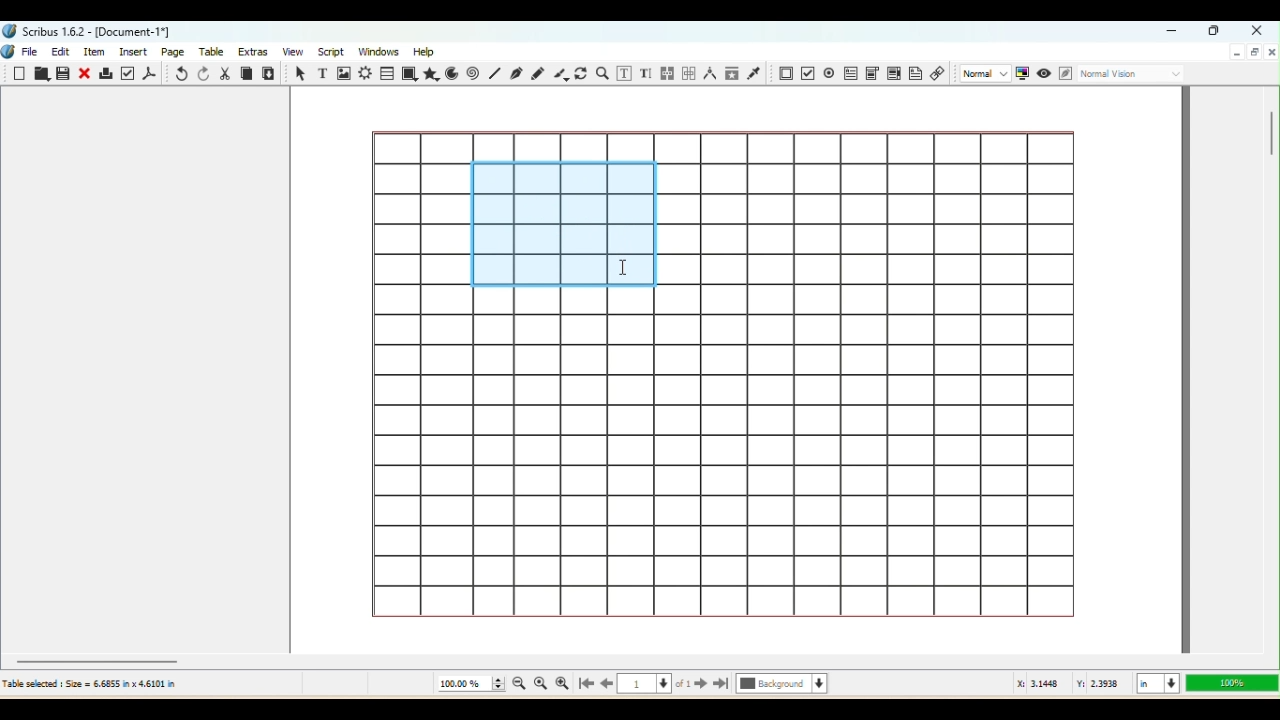 This screenshot has height=720, width=1280. What do you see at coordinates (136, 51) in the screenshot?
I see `Insert` at bounding box center [136, 51].